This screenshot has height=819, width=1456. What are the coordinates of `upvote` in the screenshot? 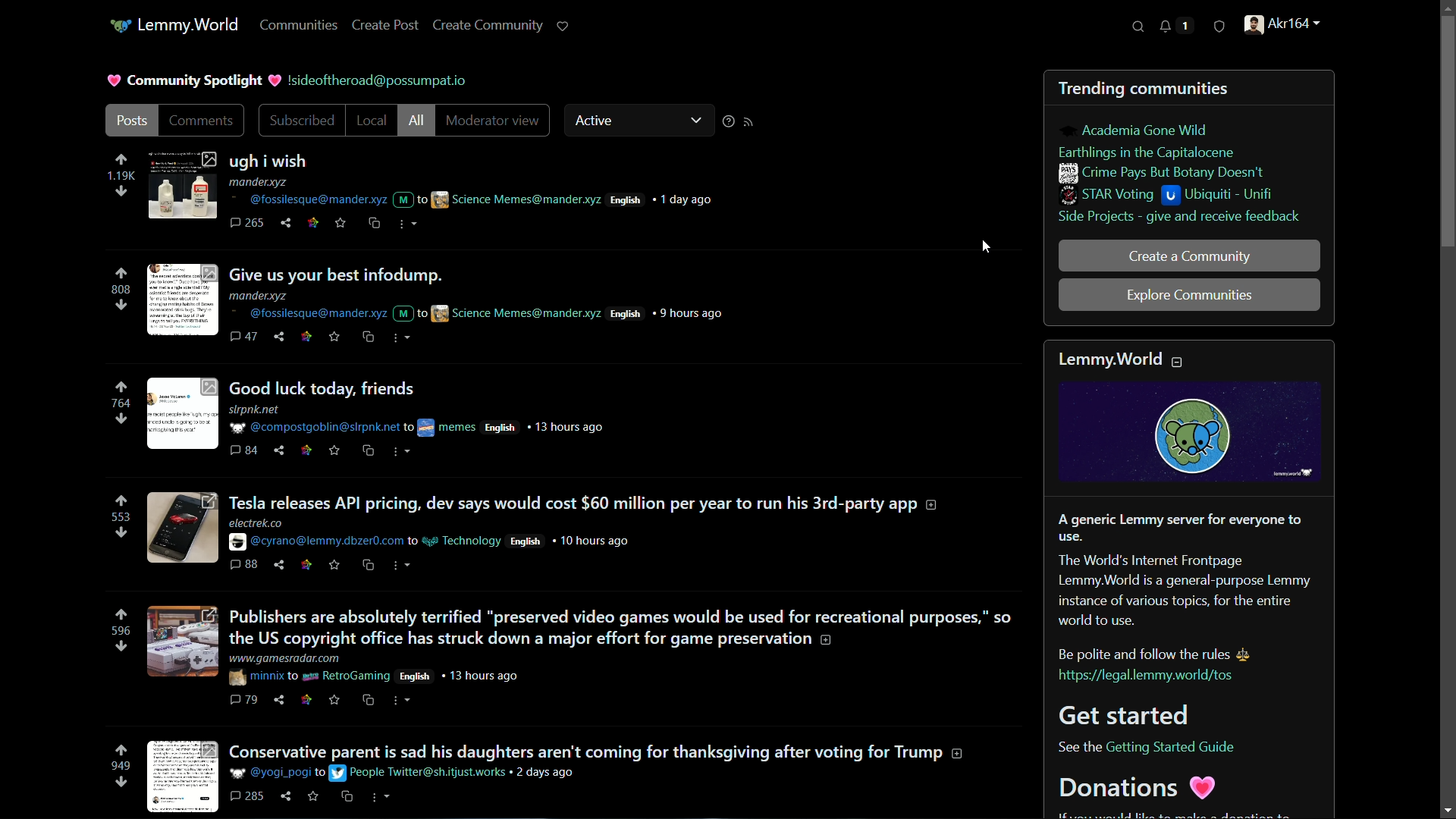 It's located at (121, 501).